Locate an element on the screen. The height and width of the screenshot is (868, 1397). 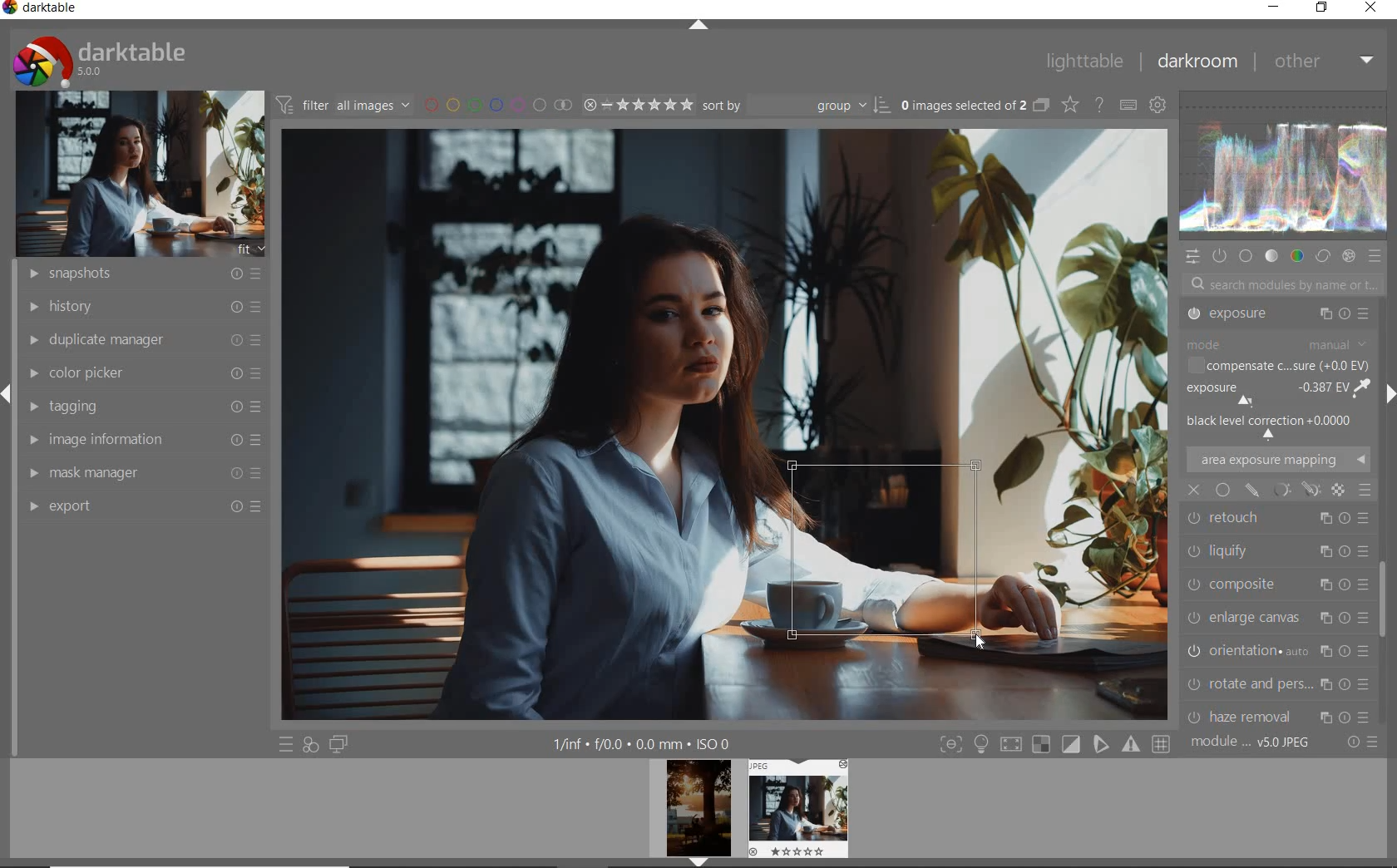
SCROLLBAR is located at coordinates (1386, 608).